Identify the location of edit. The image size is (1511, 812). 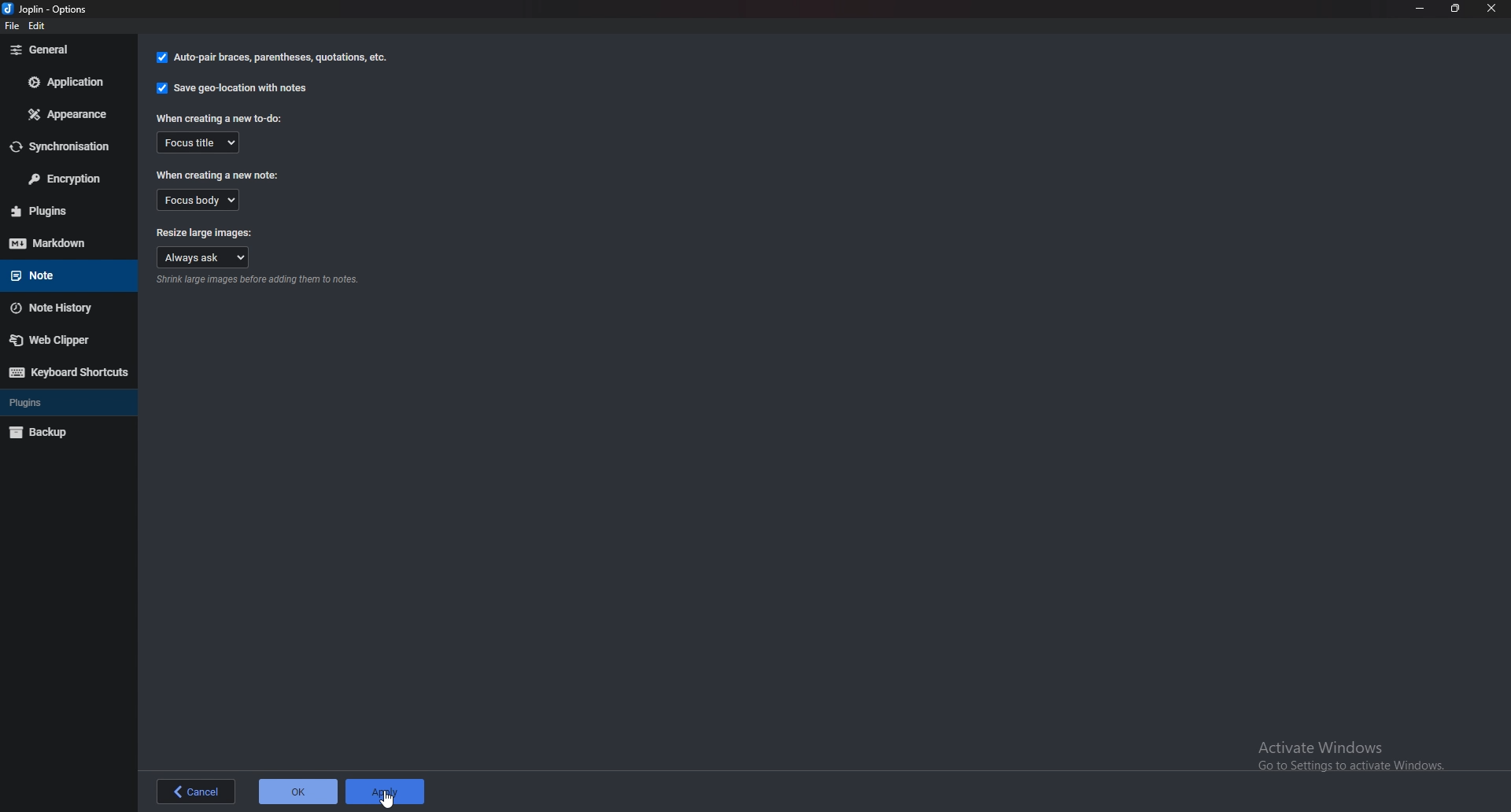
(44, 27).